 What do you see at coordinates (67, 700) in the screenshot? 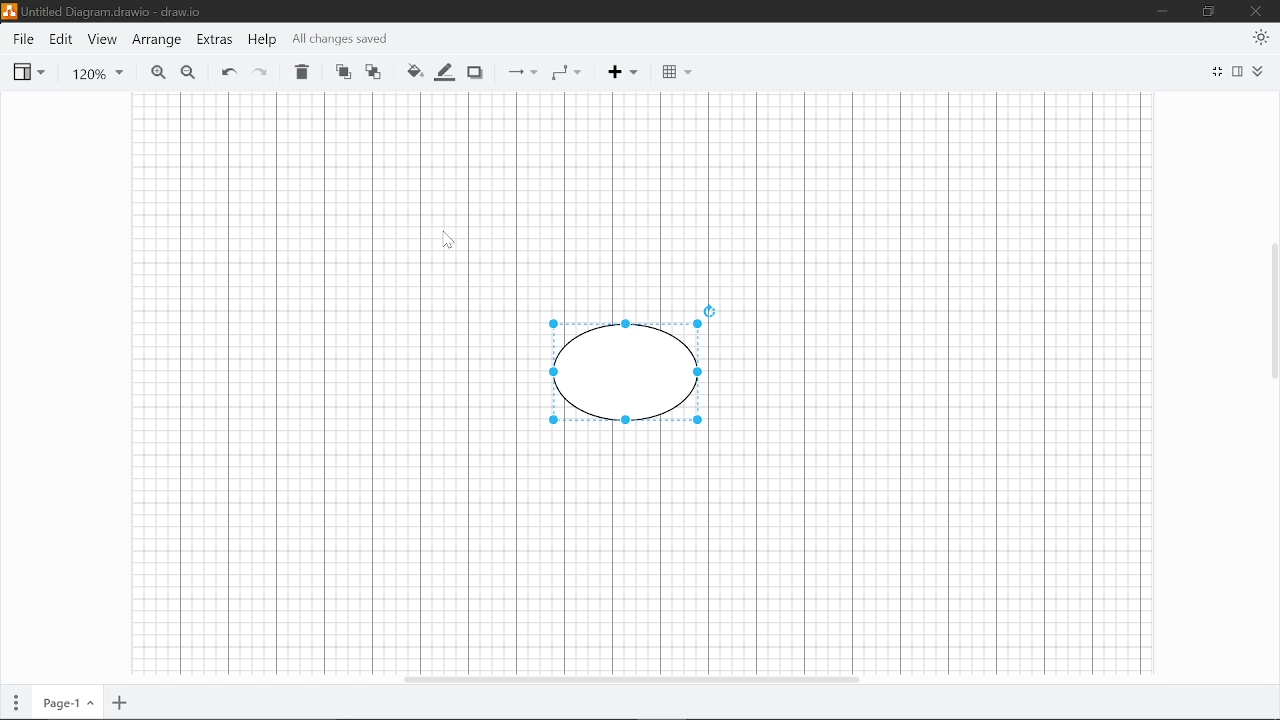
I see `Current page` at bounding box center [67, 700].